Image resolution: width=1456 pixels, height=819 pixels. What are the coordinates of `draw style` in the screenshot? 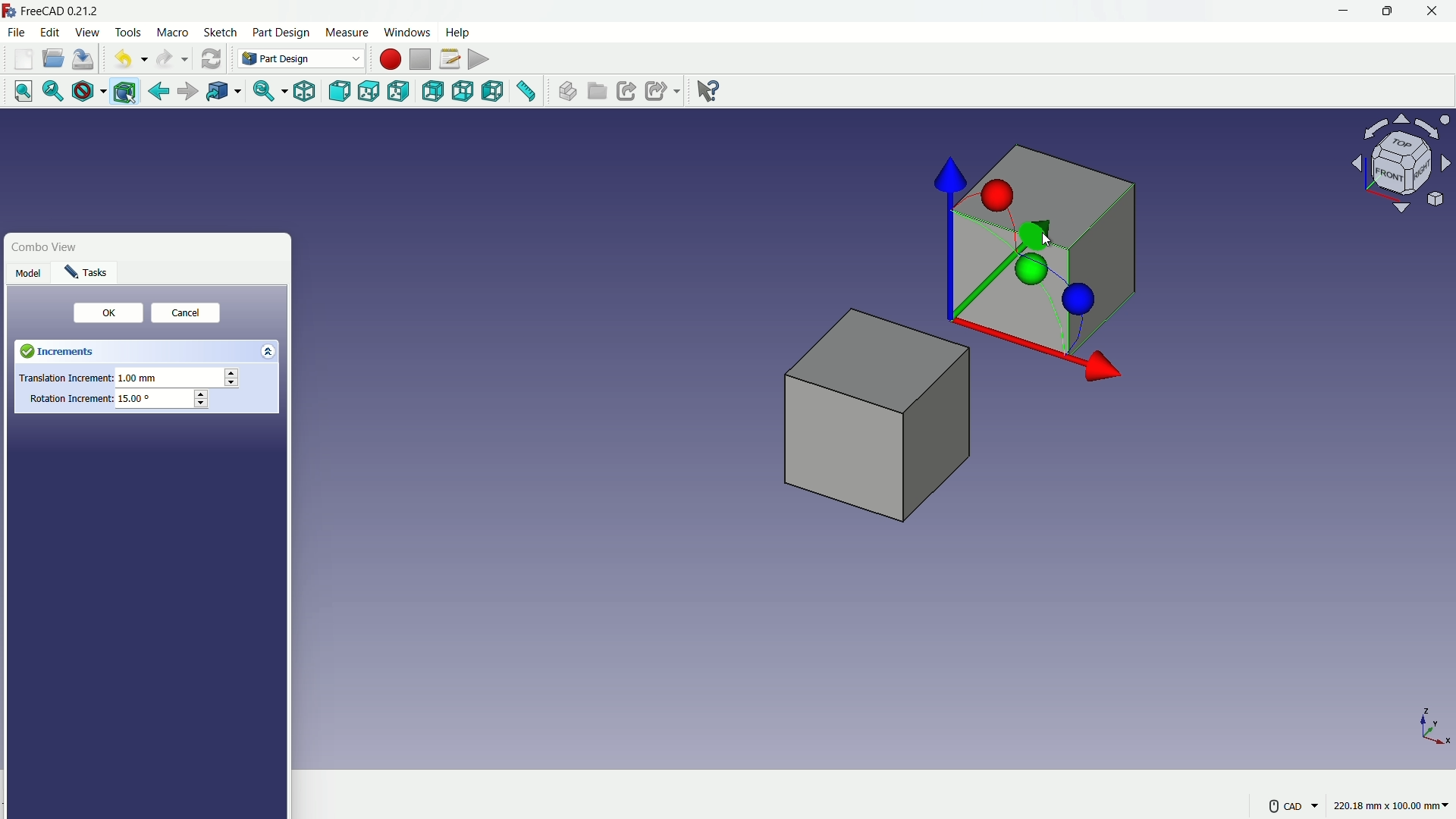 It's located at (86, 92).